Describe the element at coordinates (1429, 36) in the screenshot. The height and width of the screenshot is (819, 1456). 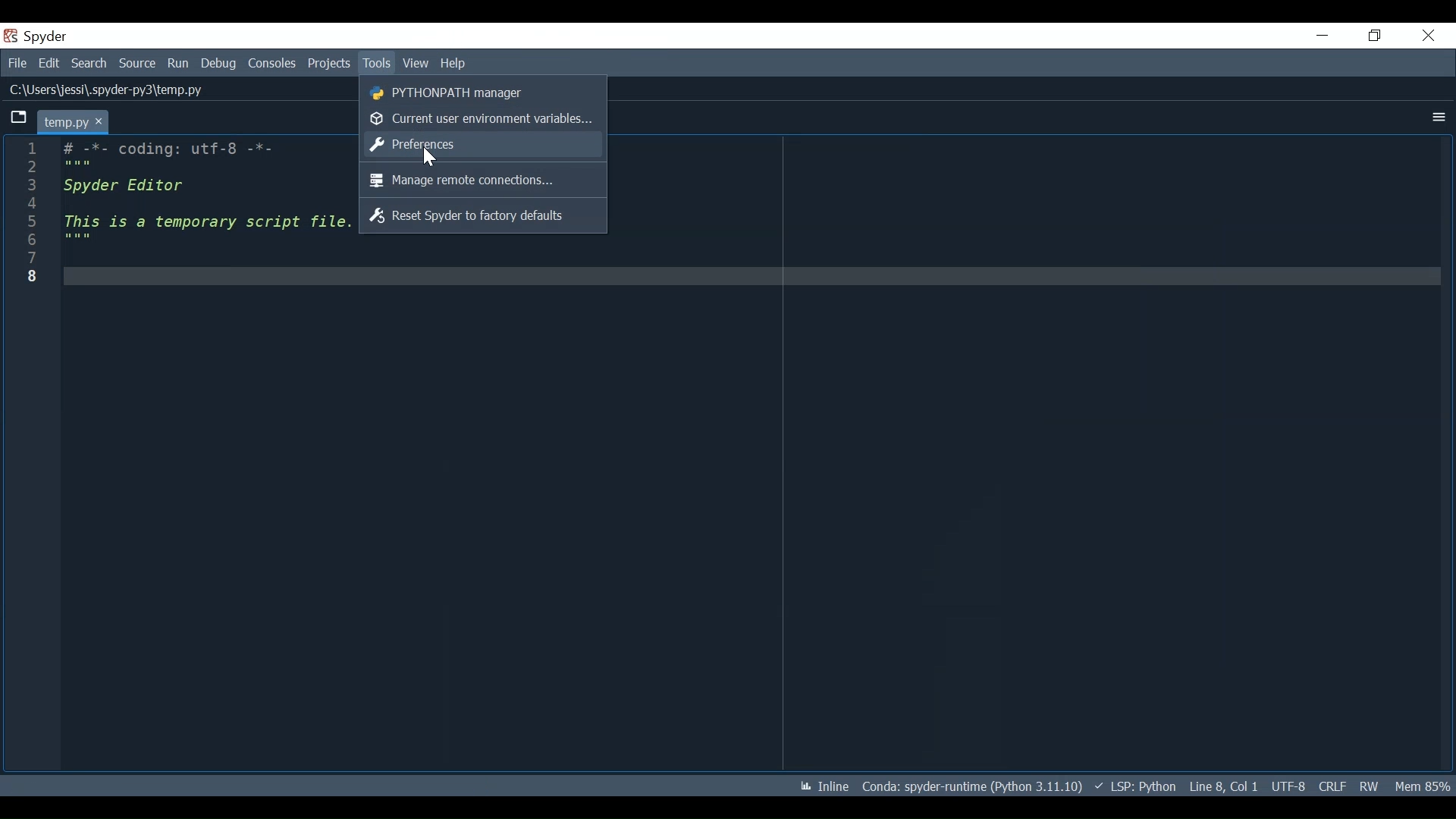
I see `Close` at that location.